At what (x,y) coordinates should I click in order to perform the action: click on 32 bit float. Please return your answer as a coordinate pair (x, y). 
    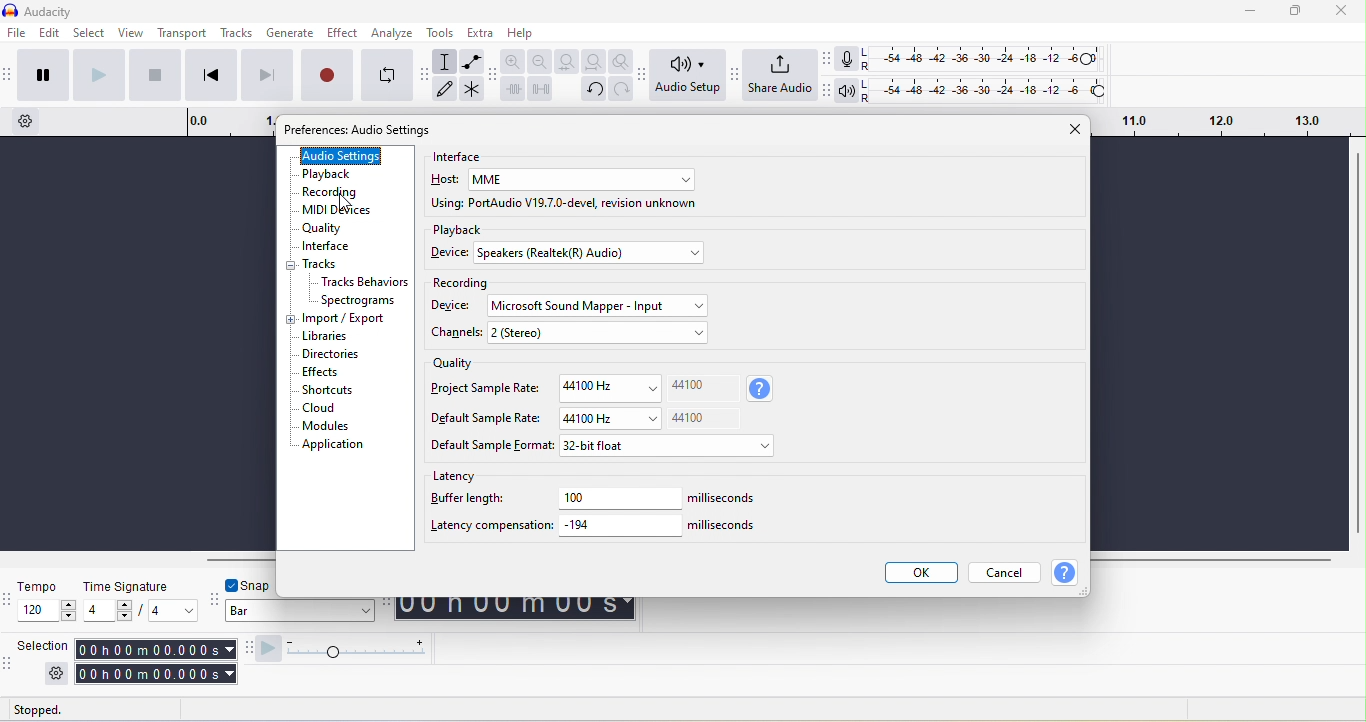
    Looking at the image, I should click on (677, 447).